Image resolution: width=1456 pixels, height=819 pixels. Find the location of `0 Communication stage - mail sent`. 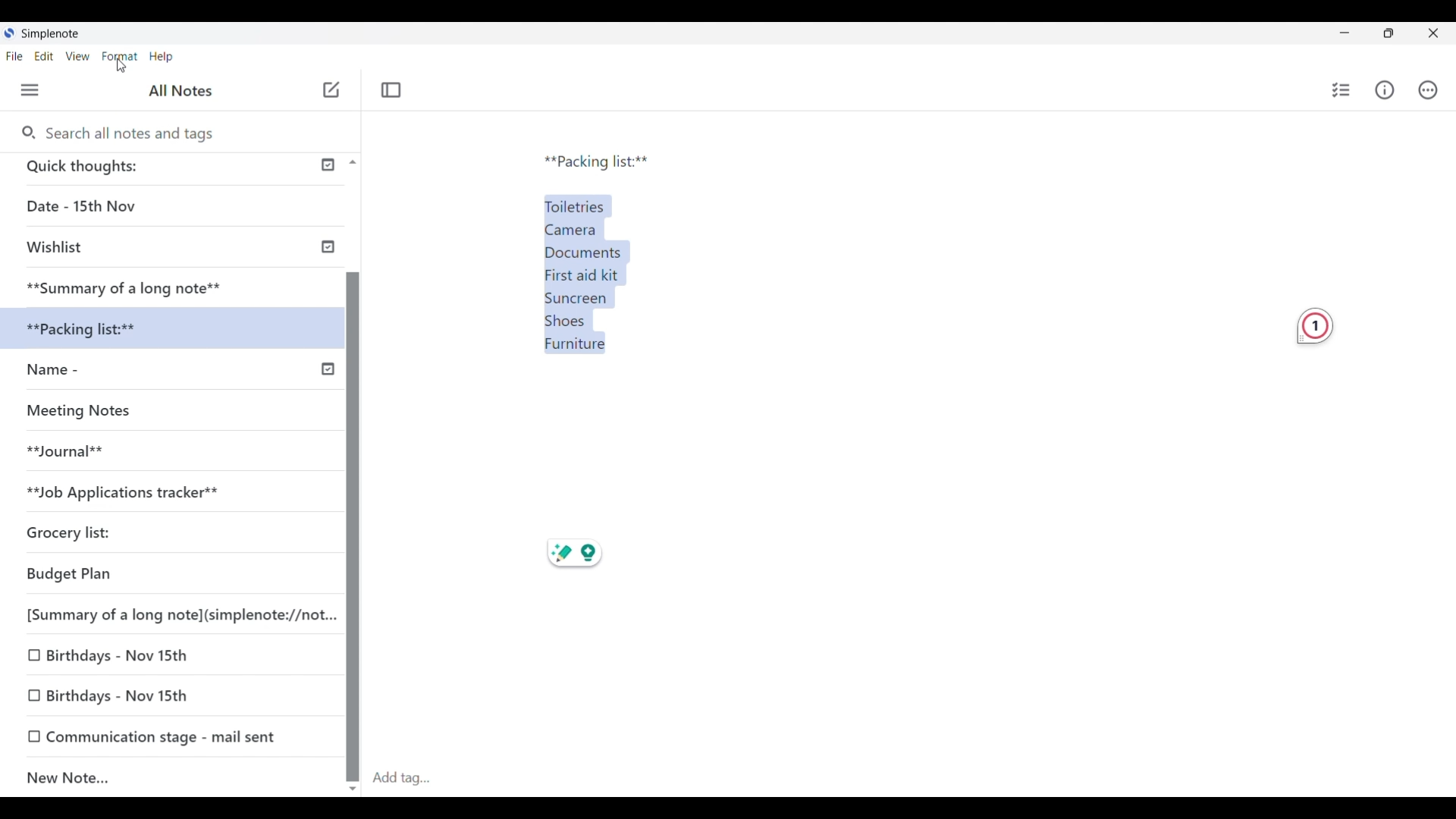

0 Communication stage - mail sent is located at coordinates (153, 736).